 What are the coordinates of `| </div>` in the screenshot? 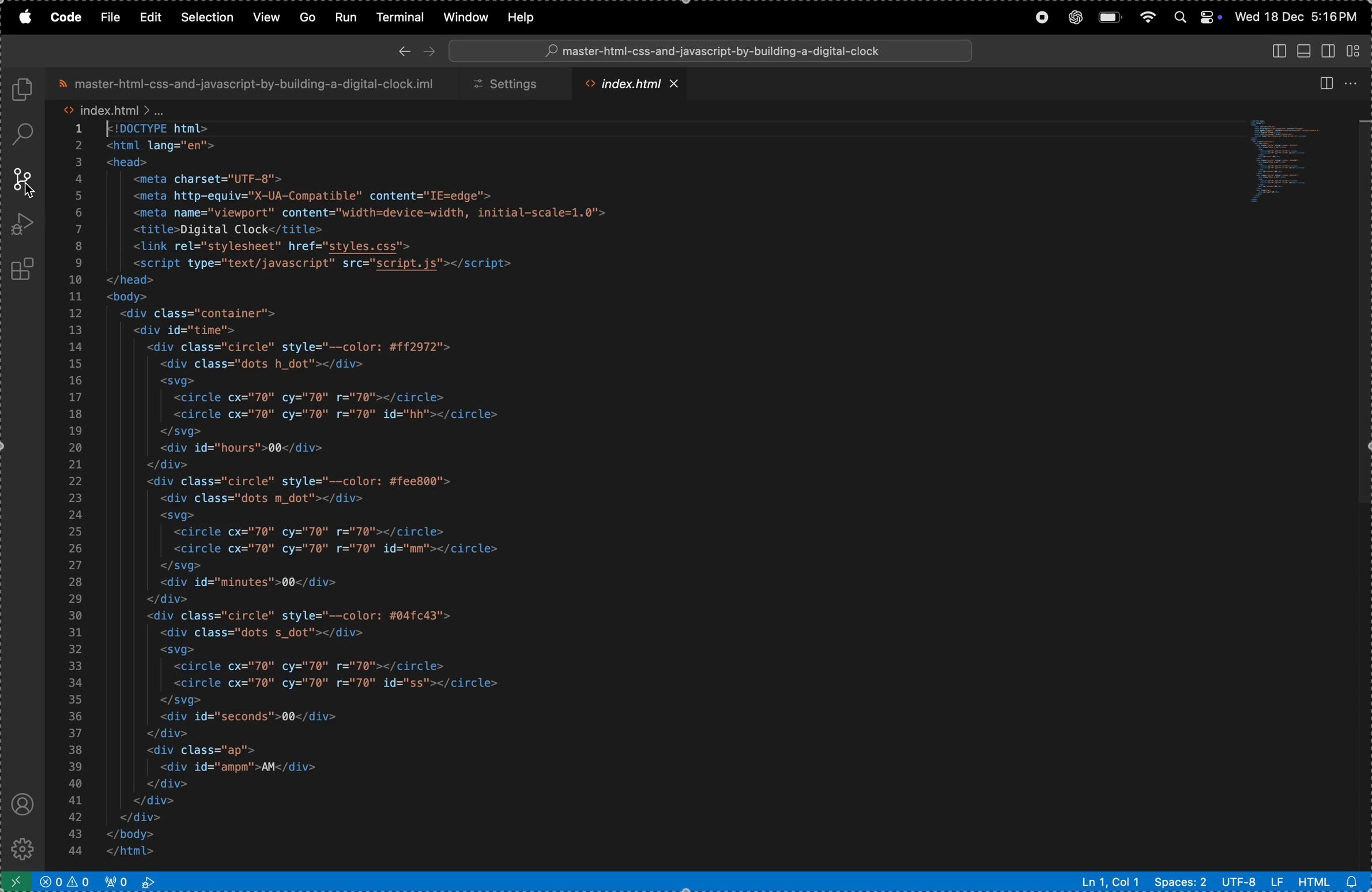 It's located at (150, 800).